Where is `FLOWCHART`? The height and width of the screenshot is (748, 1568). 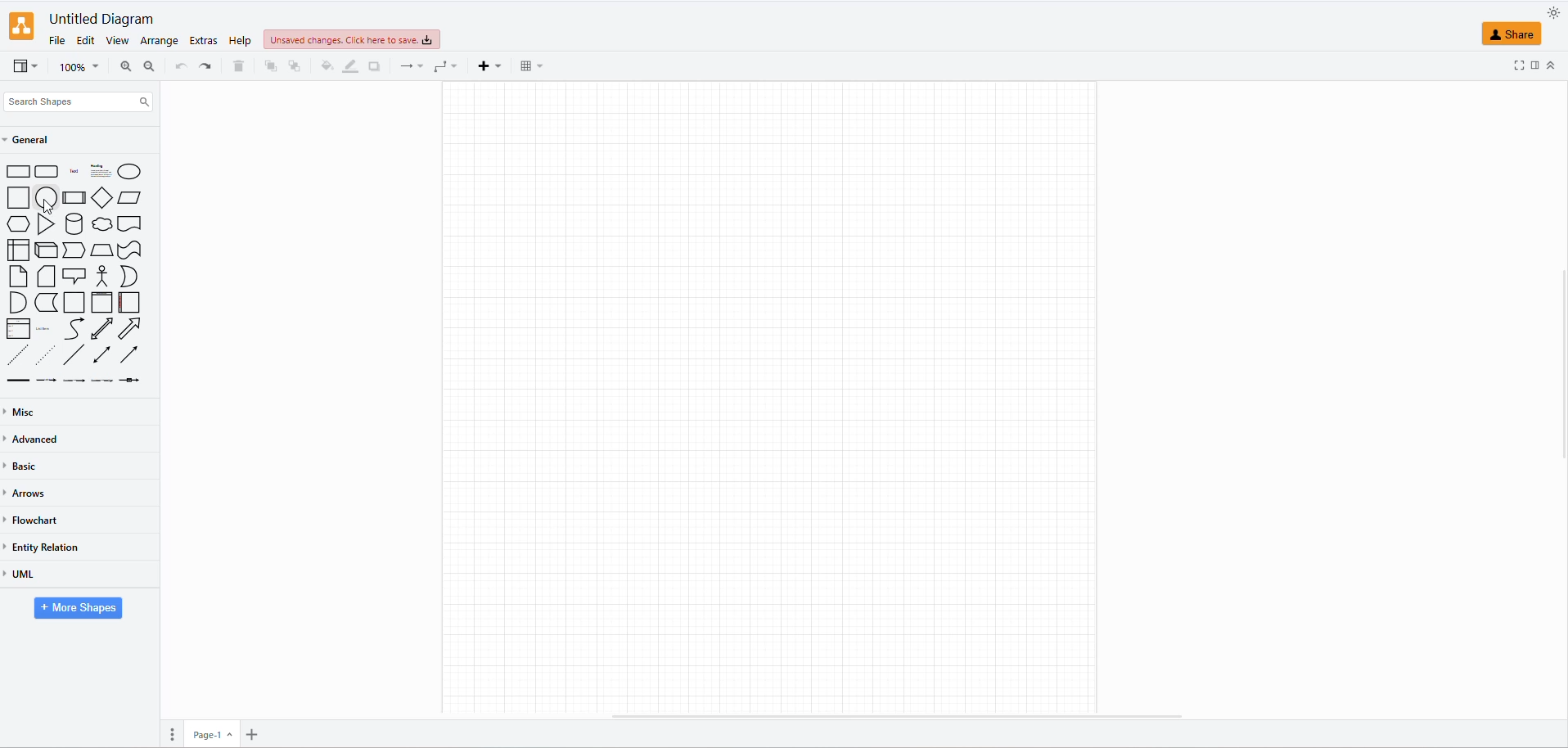
FLOWCHART is located at coordinates (34, 519).